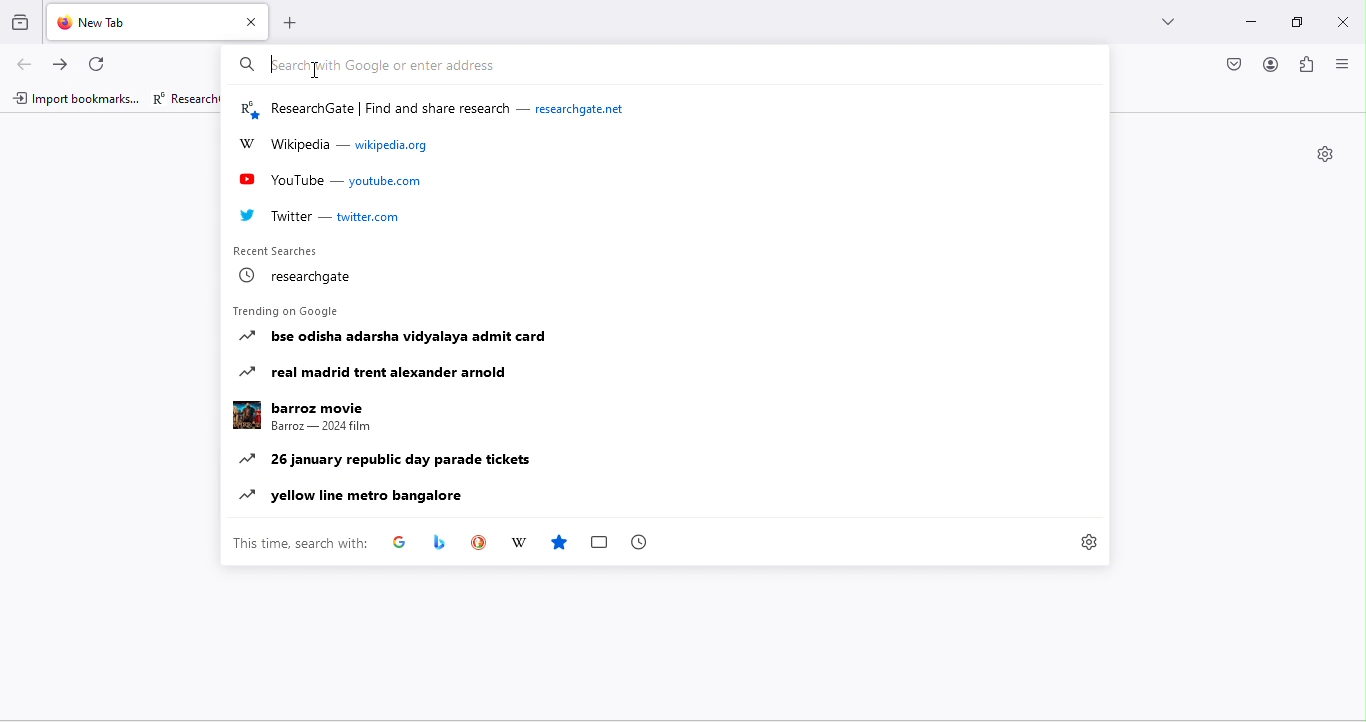  I want to click on drop down, so click(1167, 22).